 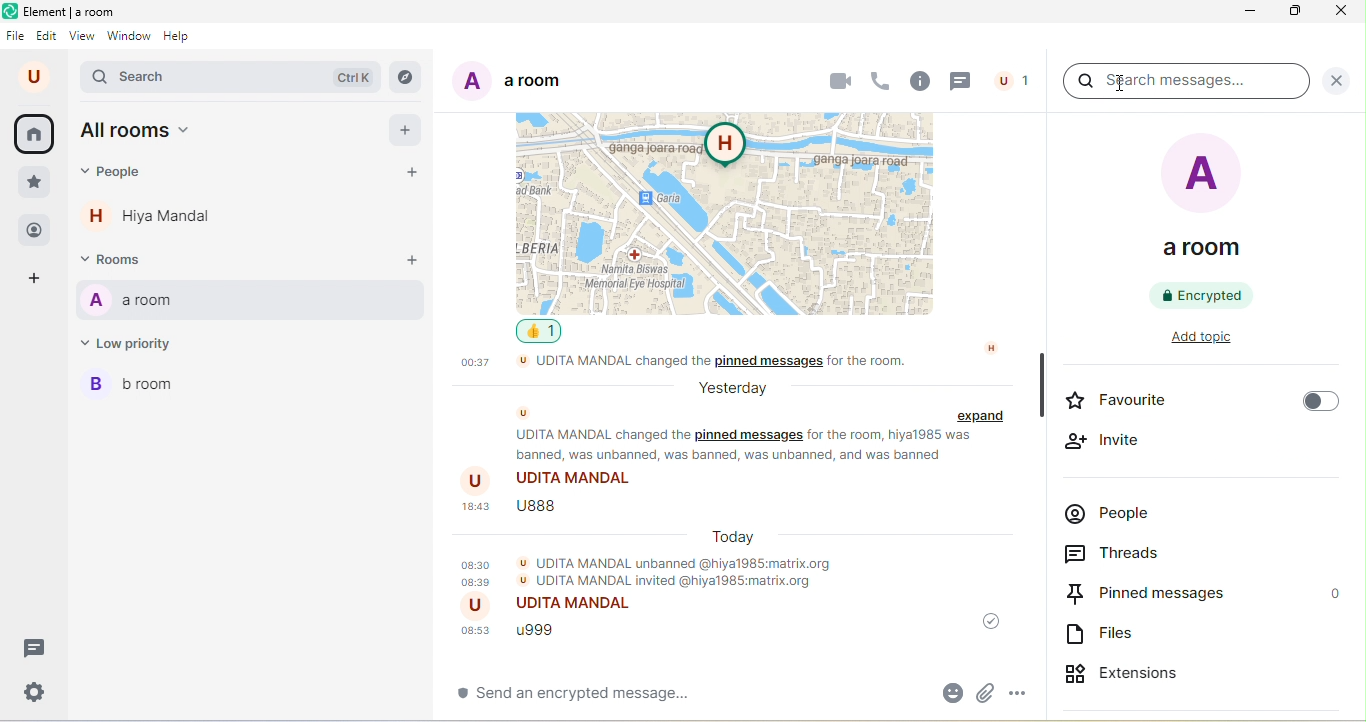 I want to click on add, so click(x=406, y=132).